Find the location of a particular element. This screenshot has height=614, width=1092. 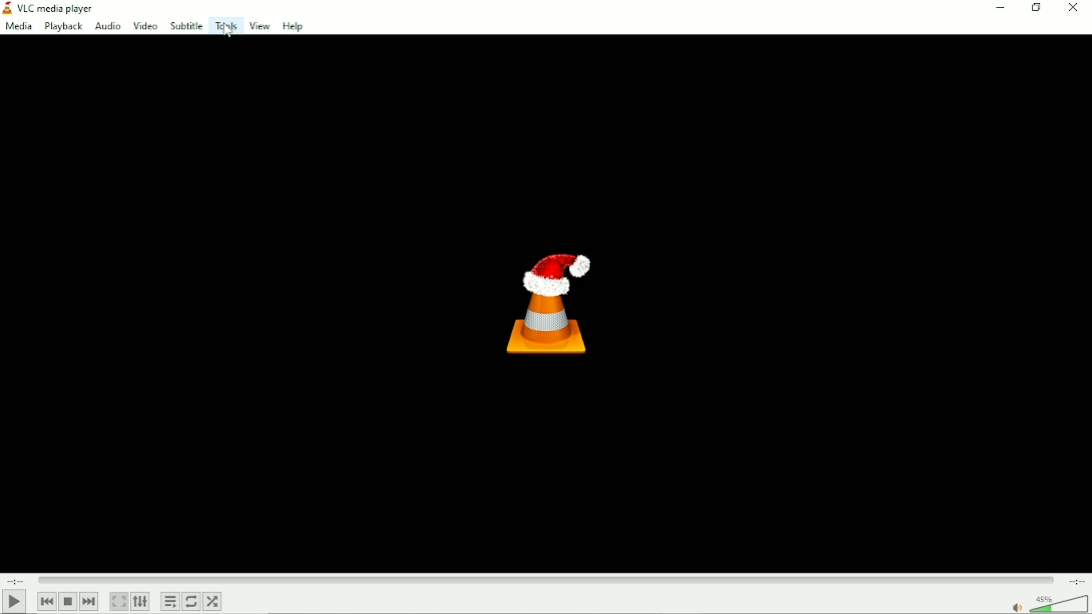

Show extended settings is located at coordinates (141, 602).